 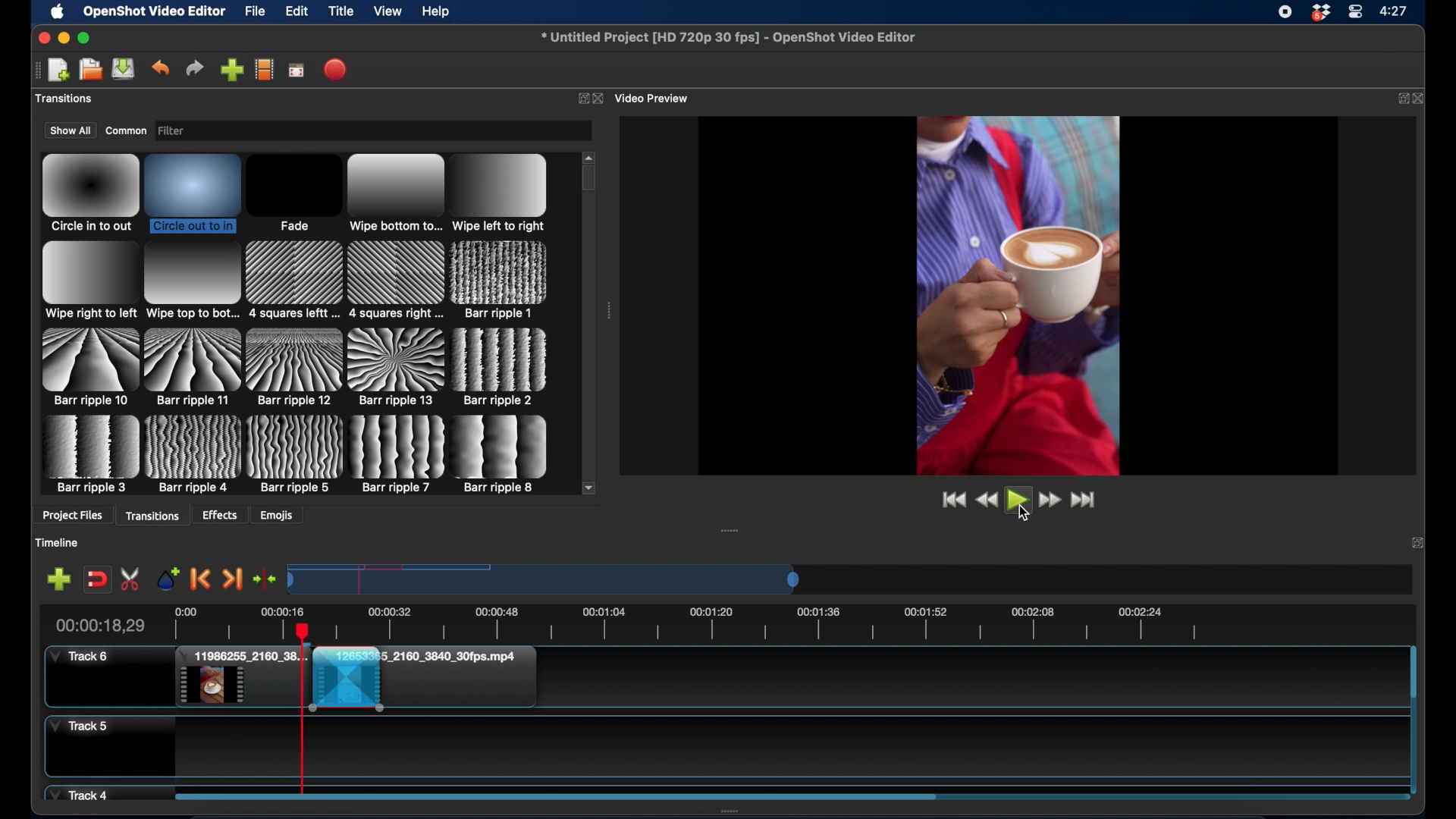 What do you see at coordinates (193, 192) in the screenshot?
I see `transition` at bounding box center [193, 192].